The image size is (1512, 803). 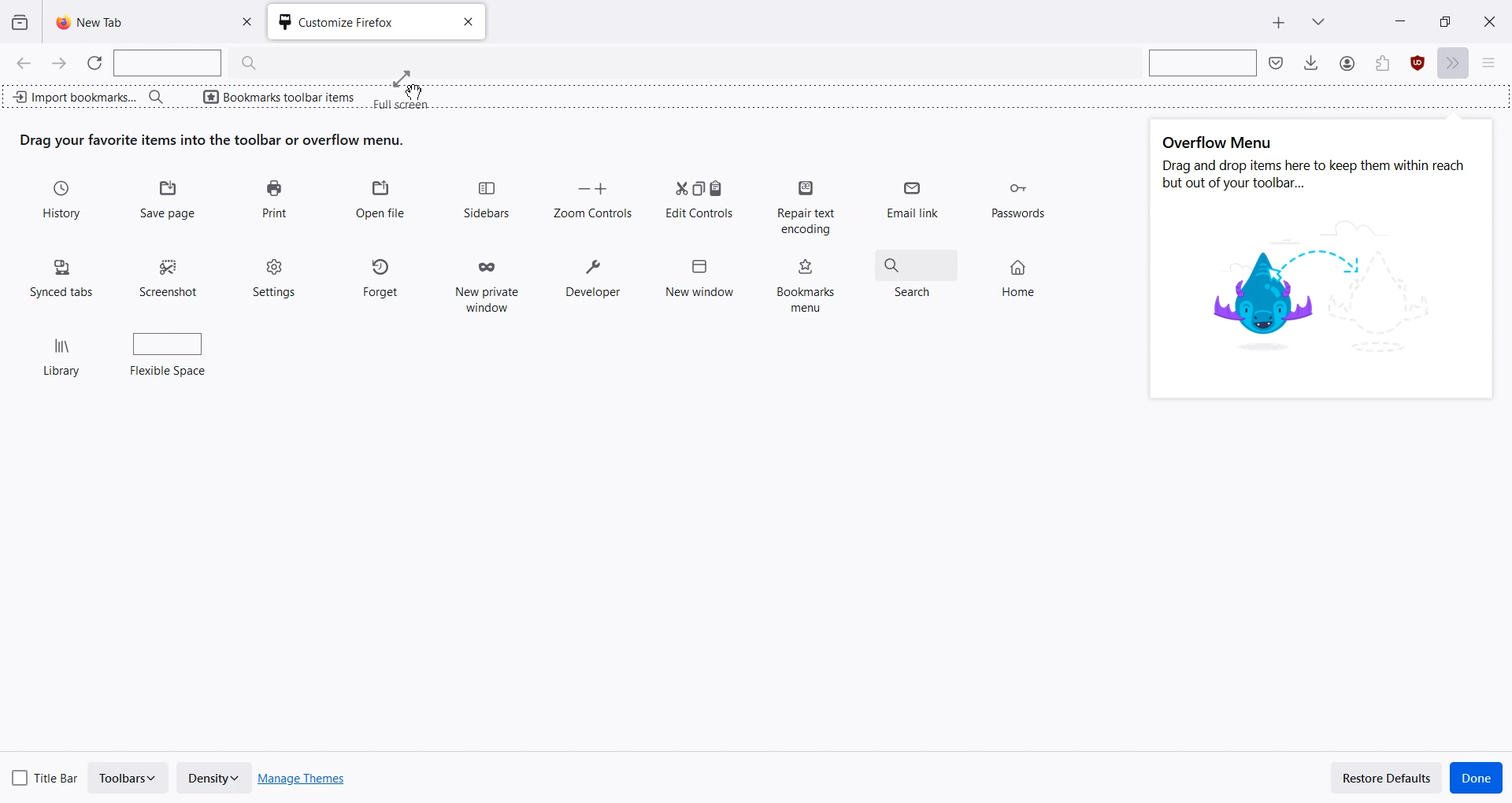 I want to click on View recent browsing, so click(x=20, y=23).